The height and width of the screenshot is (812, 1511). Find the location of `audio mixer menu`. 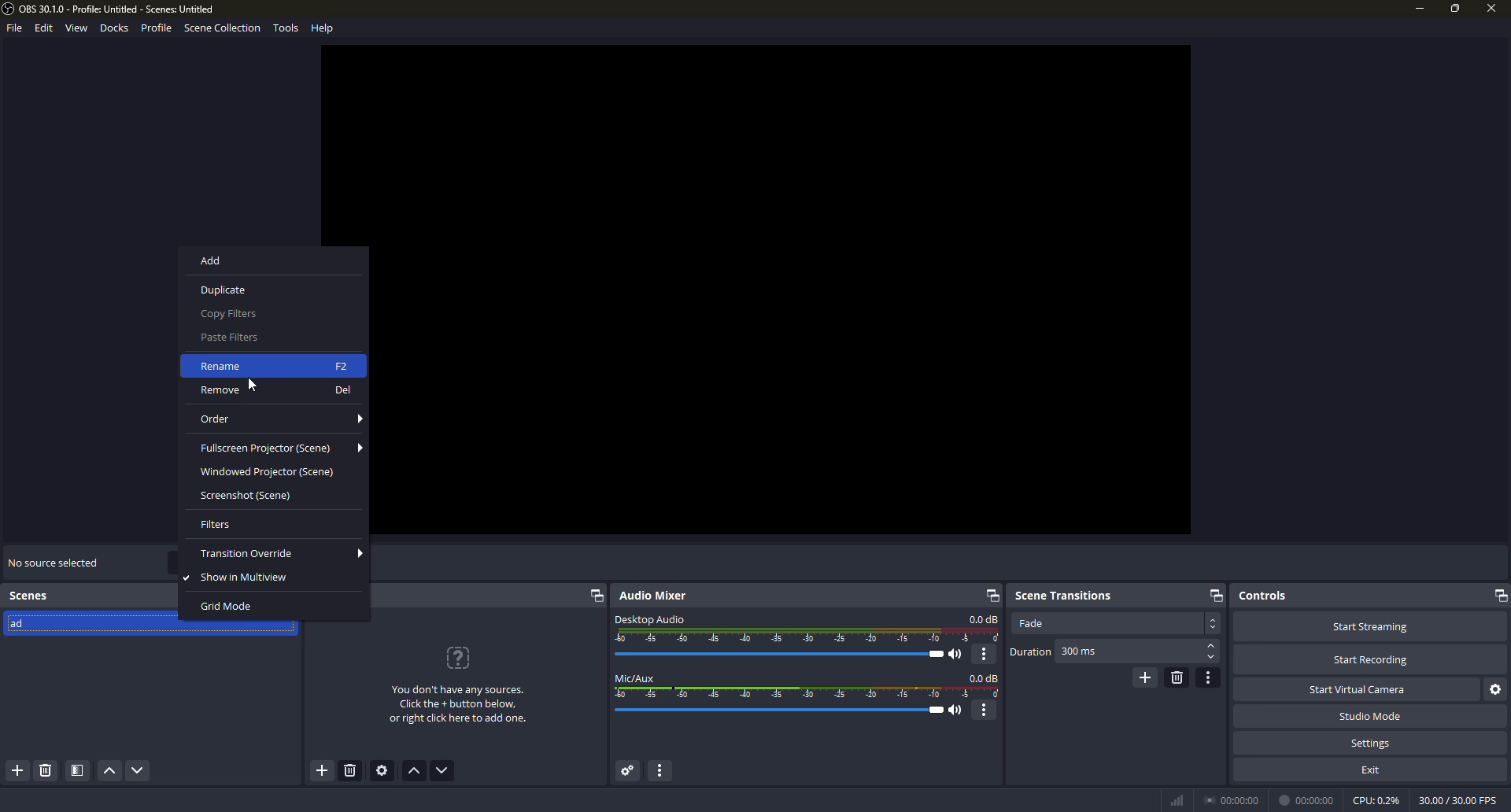

audio mixer menu is located at coordinates (665, 771).